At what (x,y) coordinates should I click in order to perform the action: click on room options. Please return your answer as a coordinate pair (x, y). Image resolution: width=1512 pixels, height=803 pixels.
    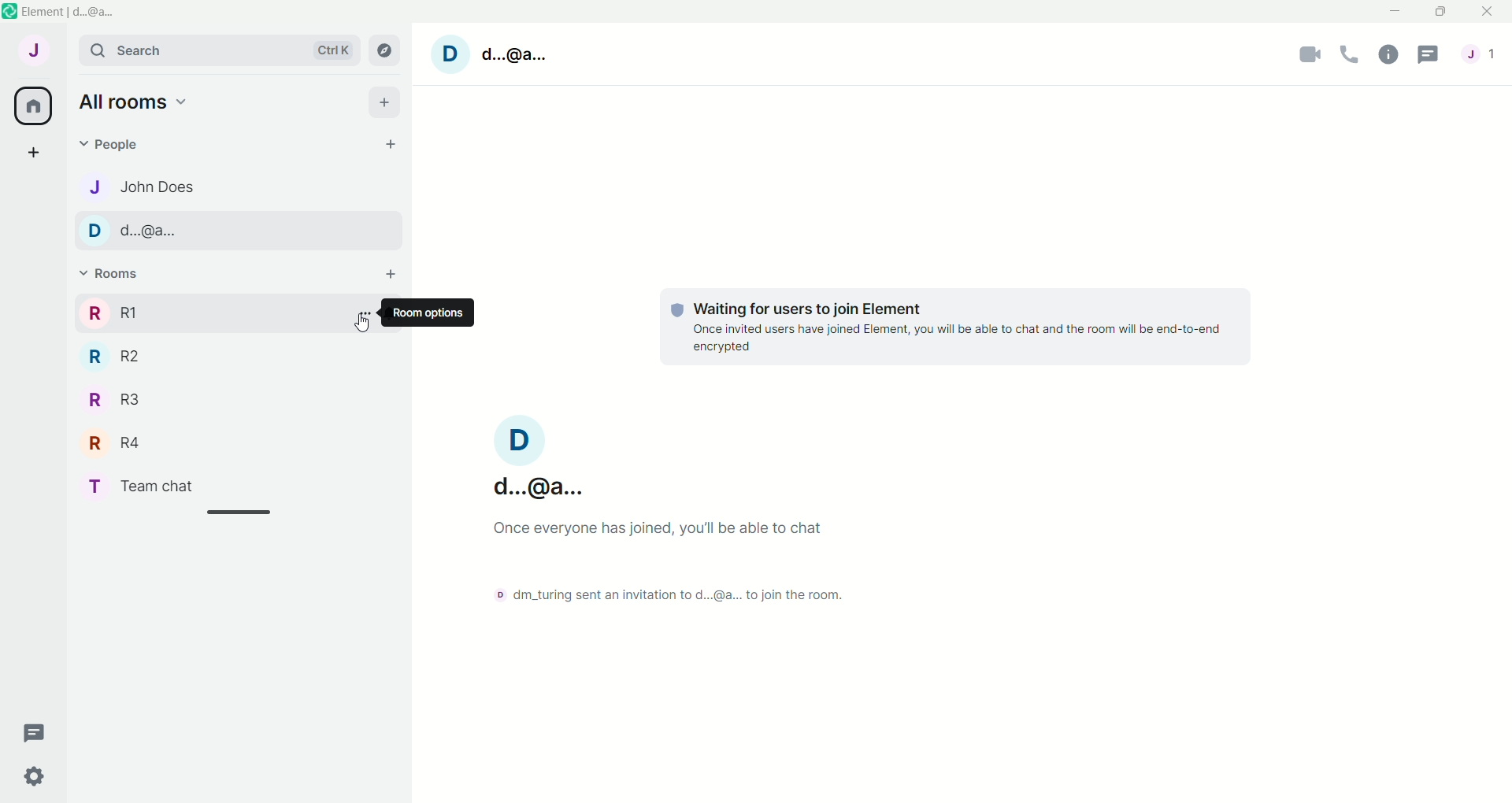
    Looking at the image, I should click on (361, 316).